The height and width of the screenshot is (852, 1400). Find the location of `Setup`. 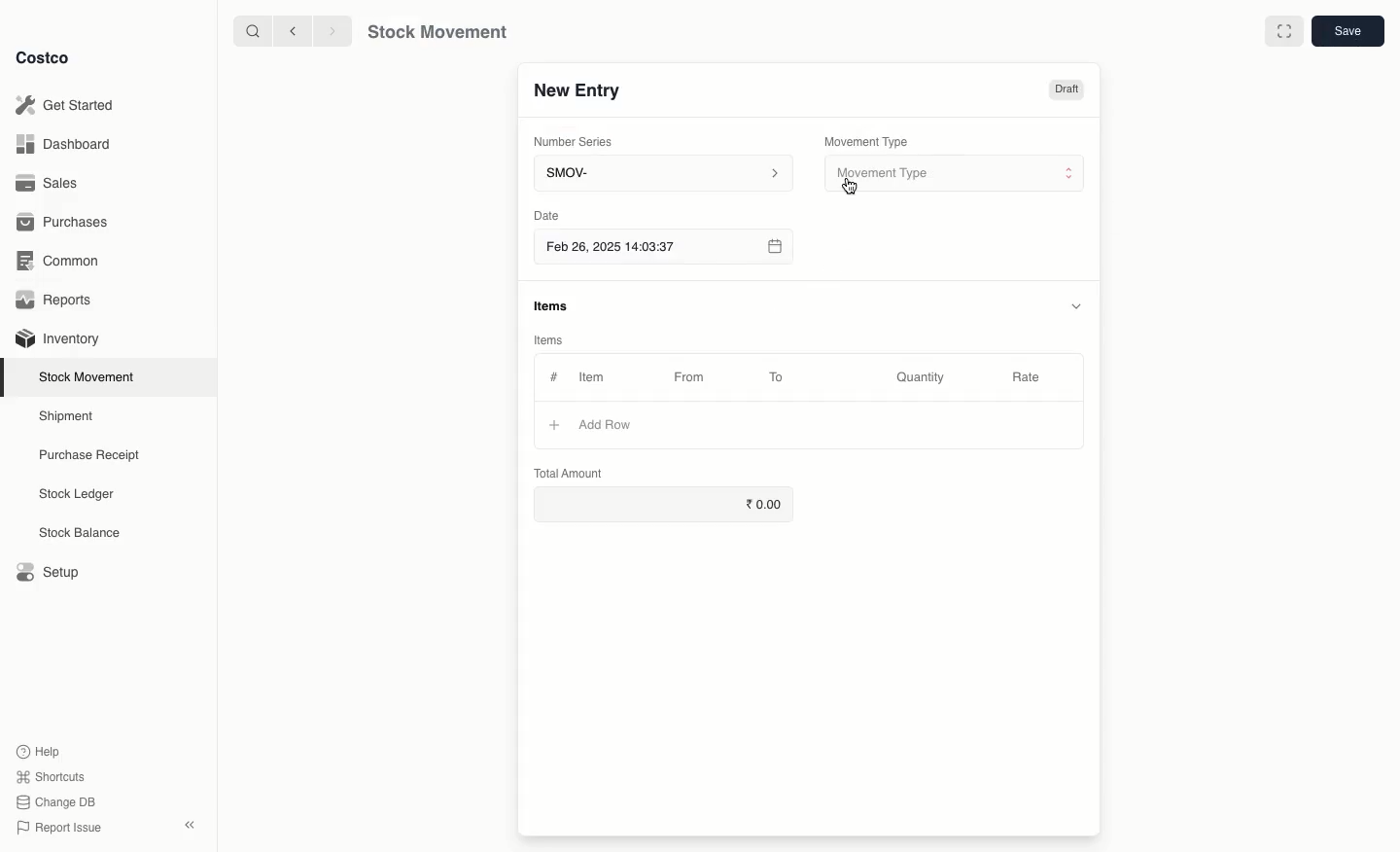

Setup is located at coordinates (46, 570).